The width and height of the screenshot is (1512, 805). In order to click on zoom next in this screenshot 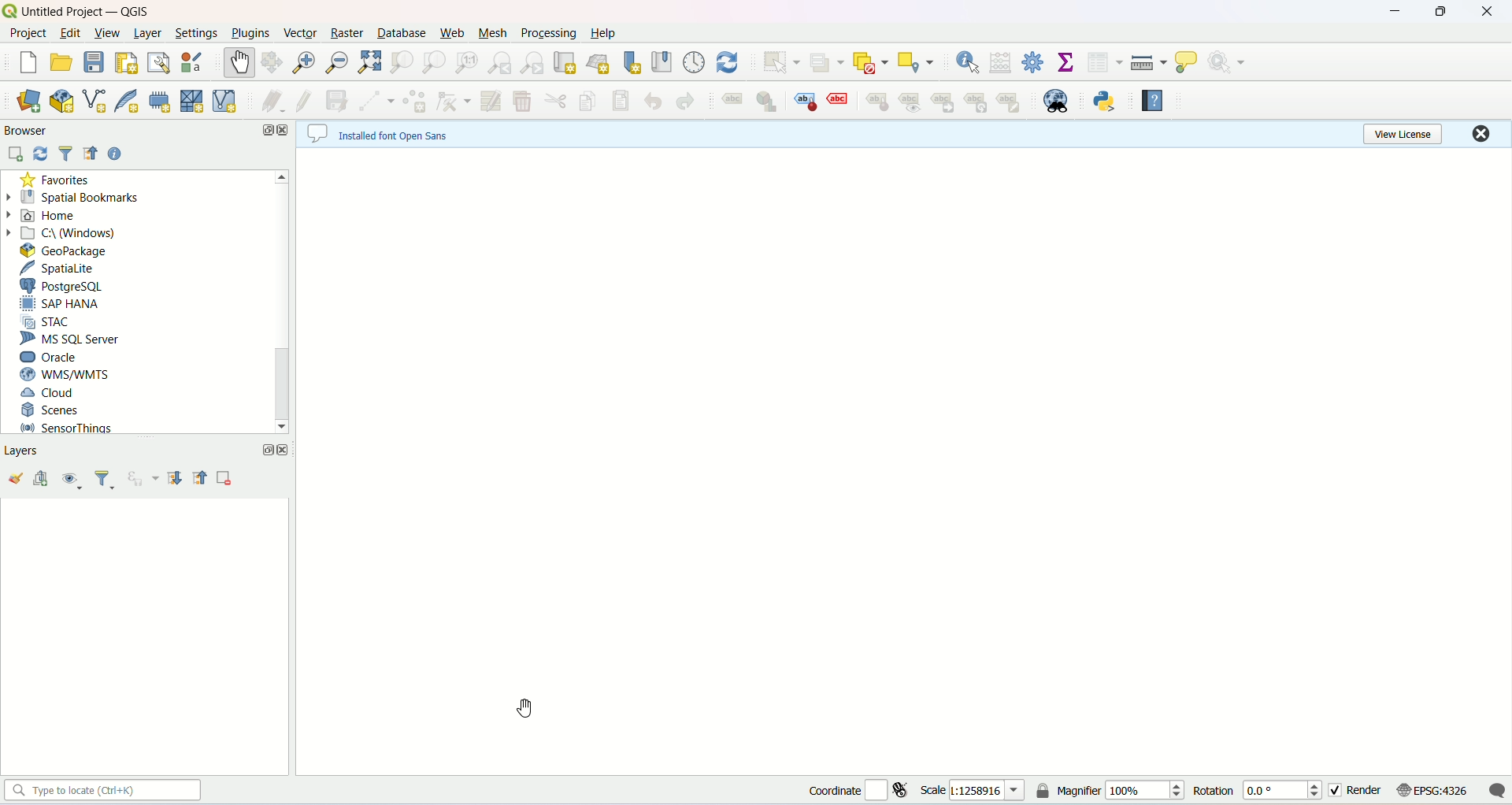, I will do `click(532, 61)`.